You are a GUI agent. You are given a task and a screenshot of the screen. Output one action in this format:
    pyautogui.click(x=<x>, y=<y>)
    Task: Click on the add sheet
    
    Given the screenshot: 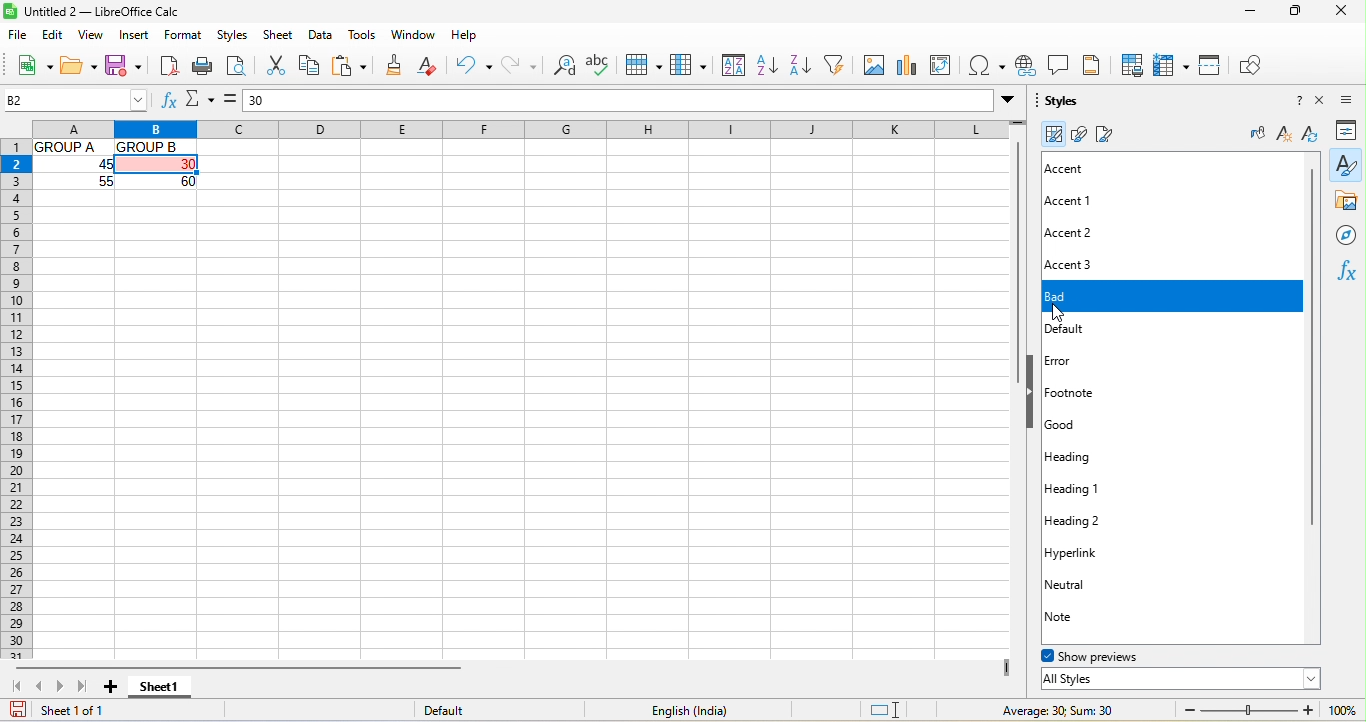 What is the action you would take?
    pyautogui.click(x=111, y=686)
    